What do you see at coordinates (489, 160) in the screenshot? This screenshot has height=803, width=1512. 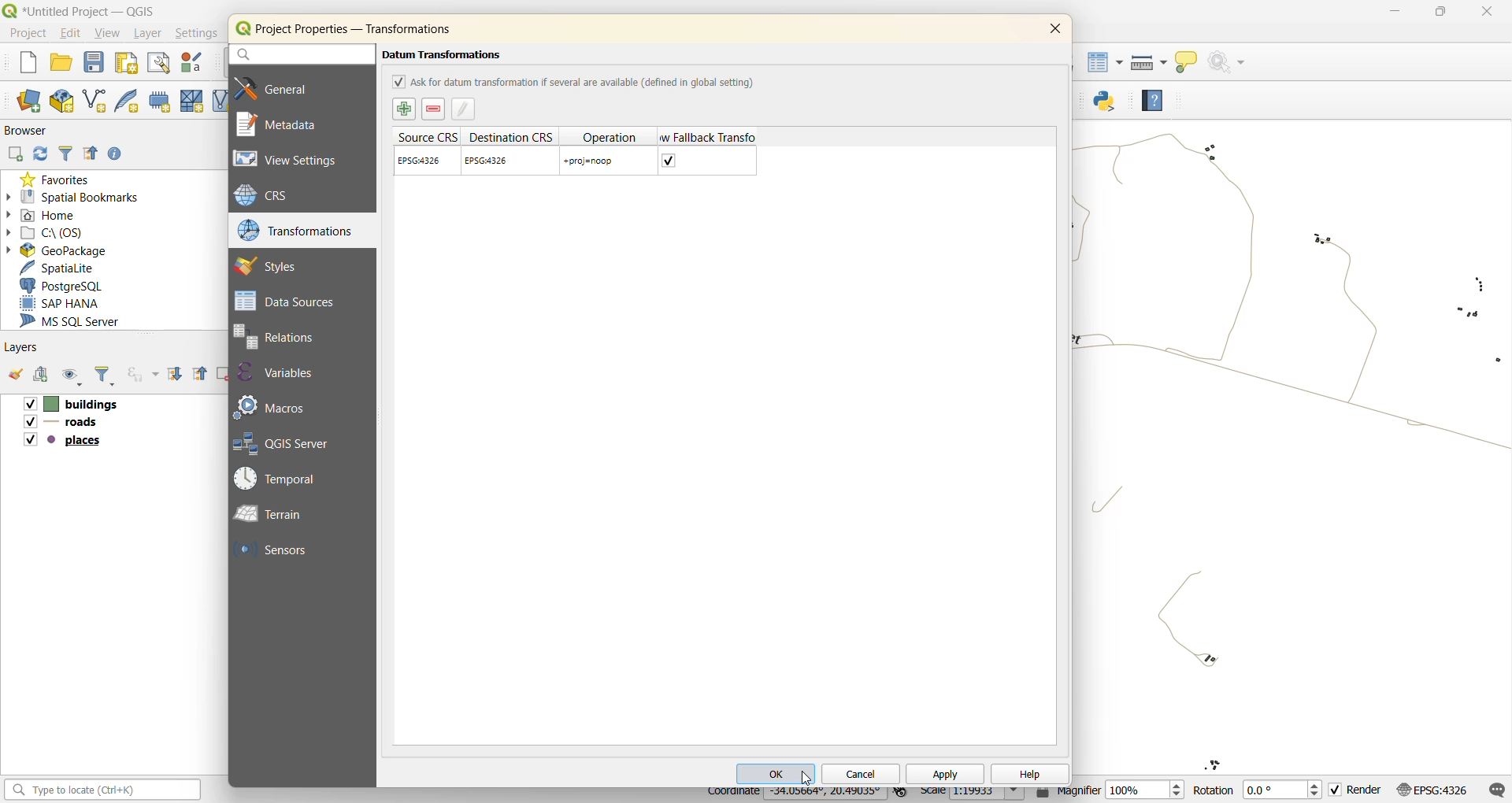 I see `destination CRS updated` at bounding box center [489, 160].